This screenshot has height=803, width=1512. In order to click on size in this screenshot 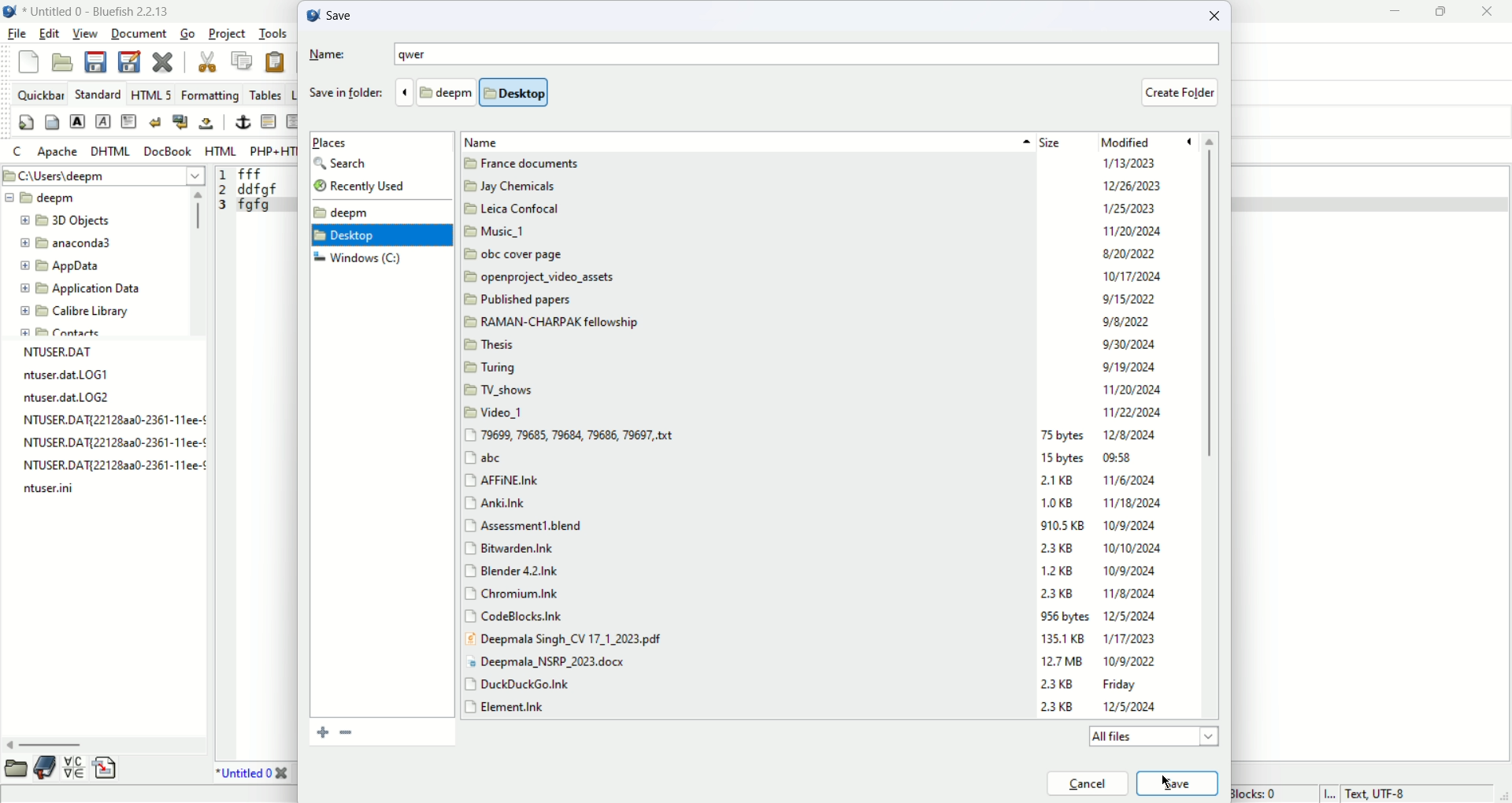, I will do `click(1062, 431)`.